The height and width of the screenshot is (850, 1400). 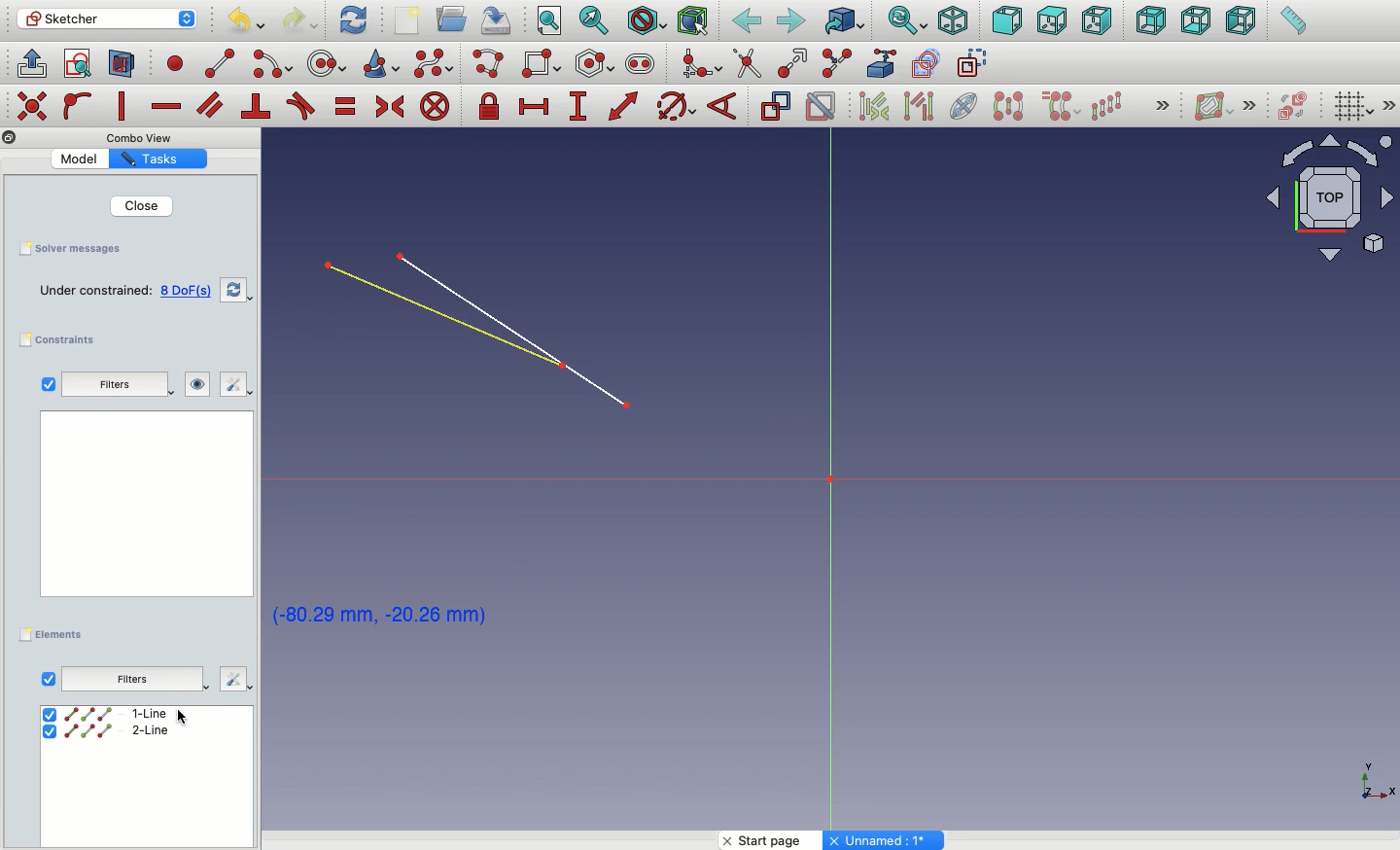 I want to click on New, so click(x=409, y=20).